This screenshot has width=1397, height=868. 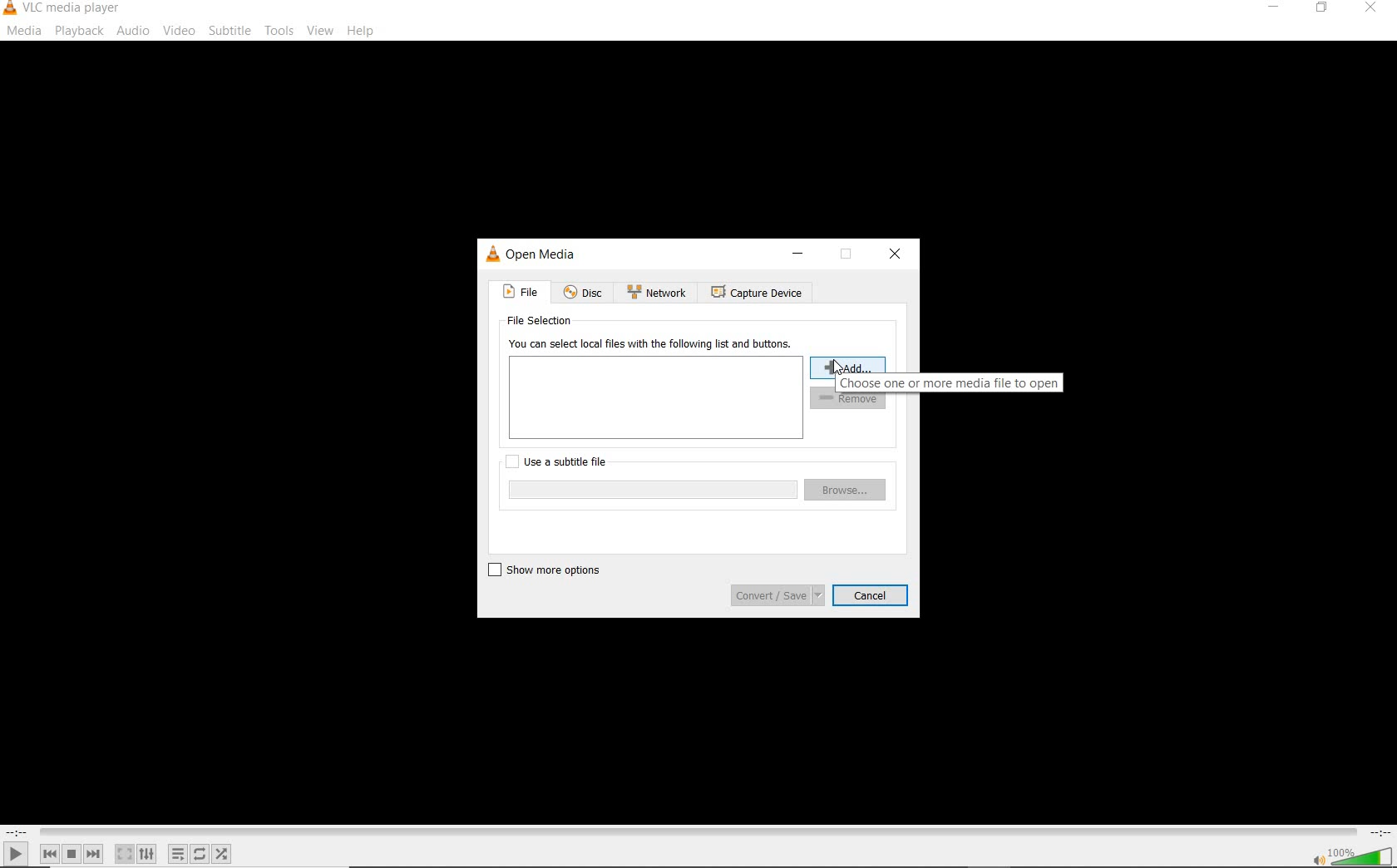 I want to click on show extended settings, so click(x=146, y=854).